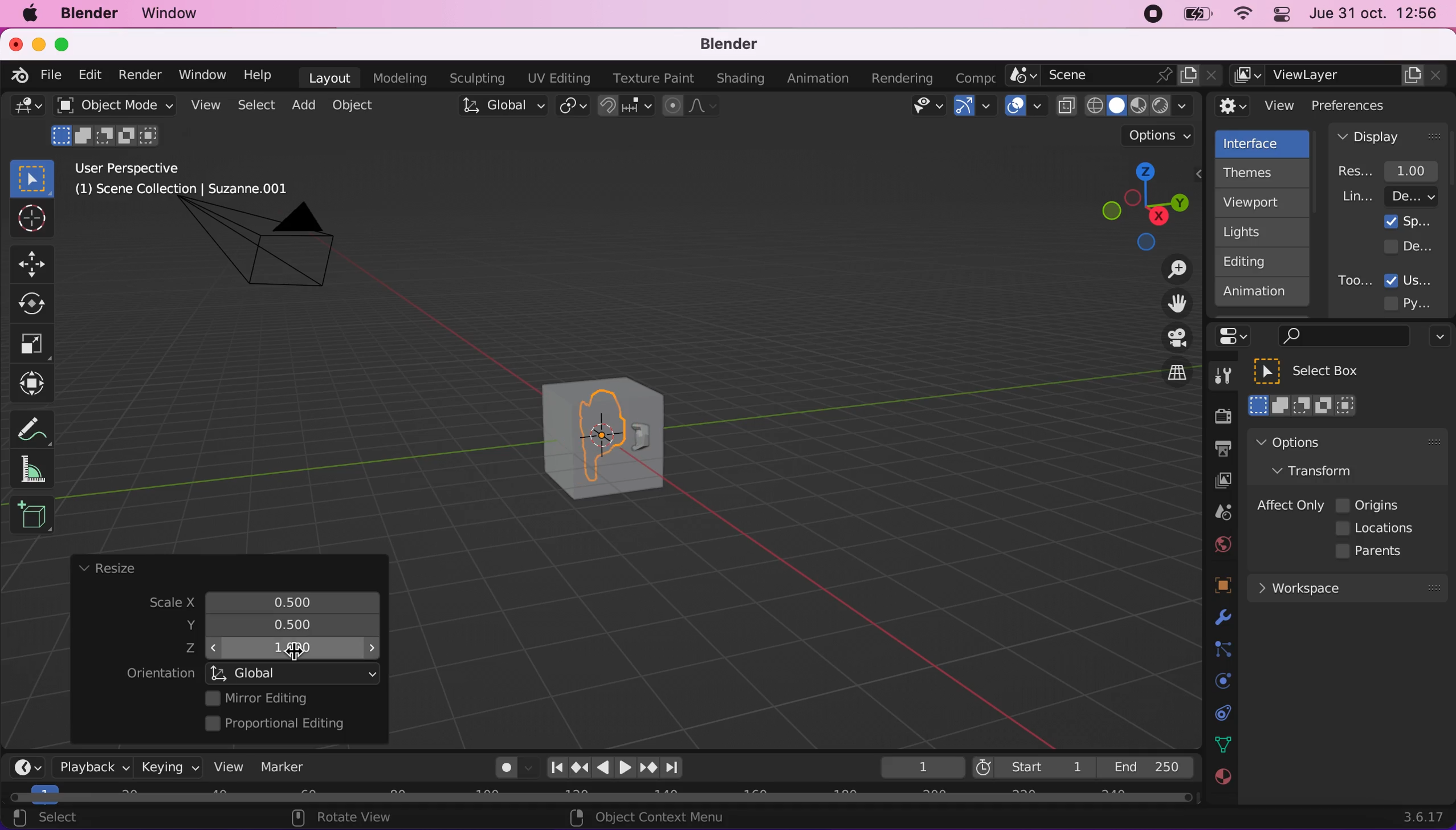  What do you see at coordinates (224, 766) in the screenshot?
I see `view` at bounding box center [224, 766].